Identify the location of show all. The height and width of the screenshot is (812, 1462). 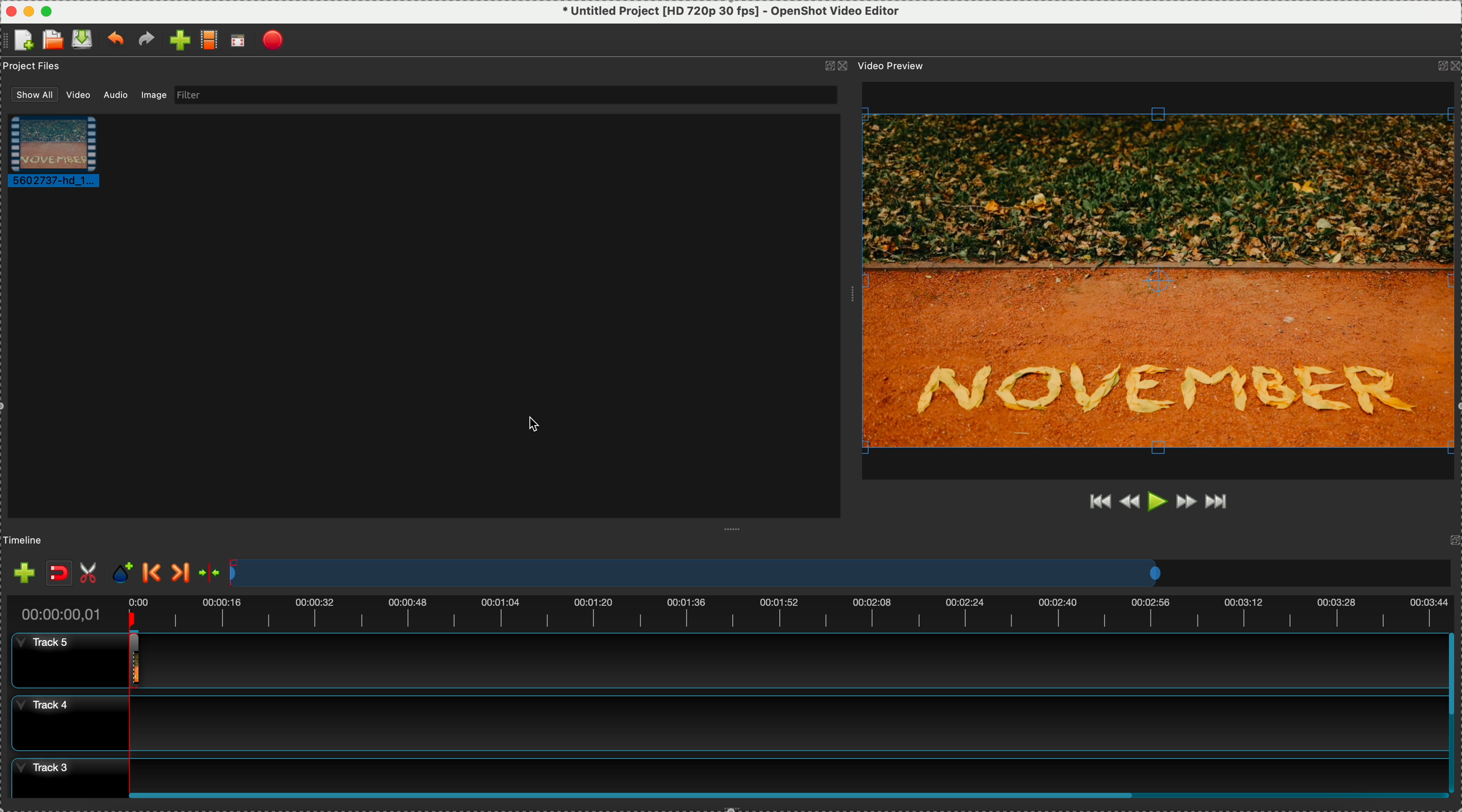
(30, 94).